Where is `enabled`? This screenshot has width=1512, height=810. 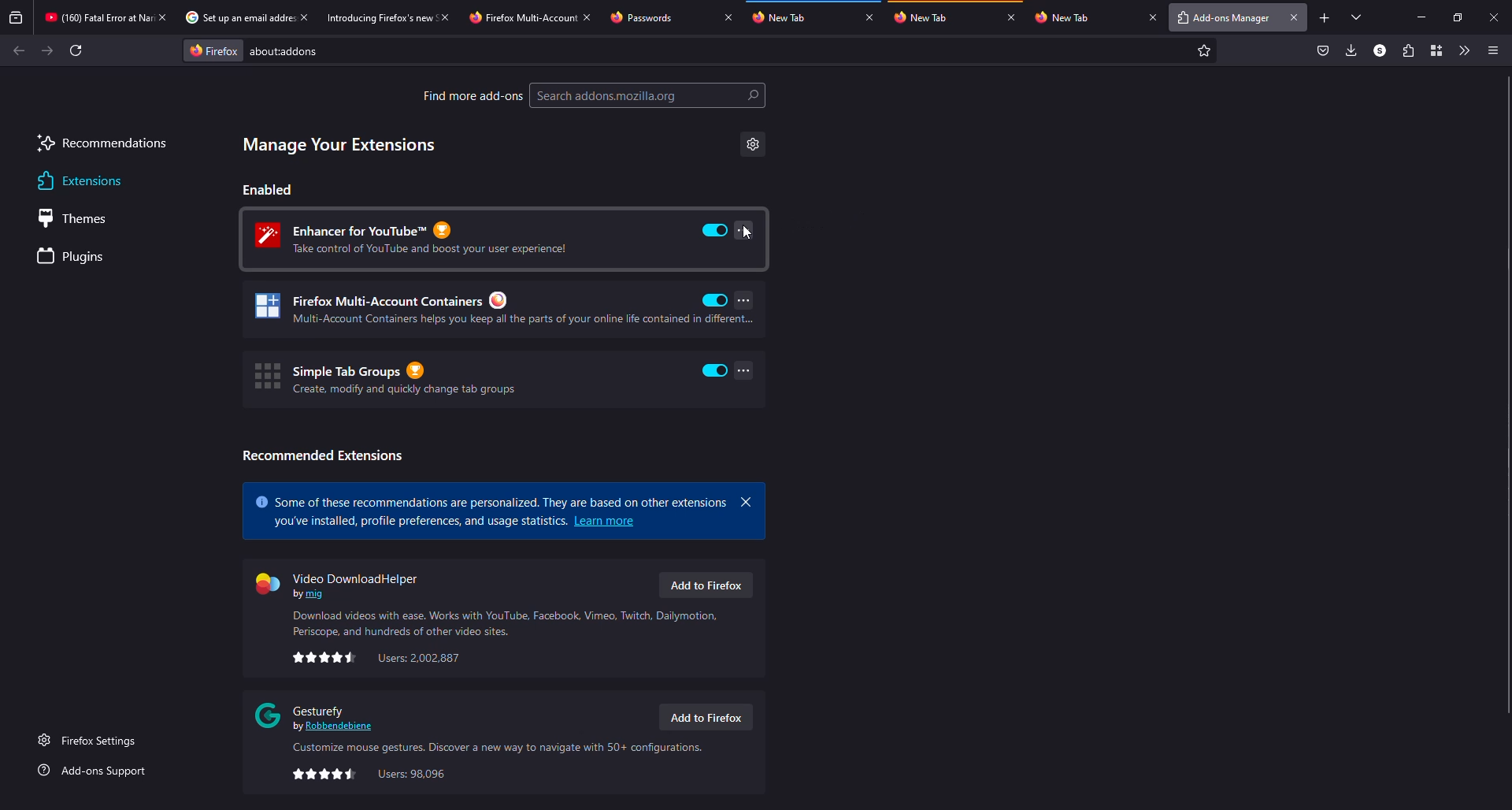 enabled is located at coordinates (269, 189).